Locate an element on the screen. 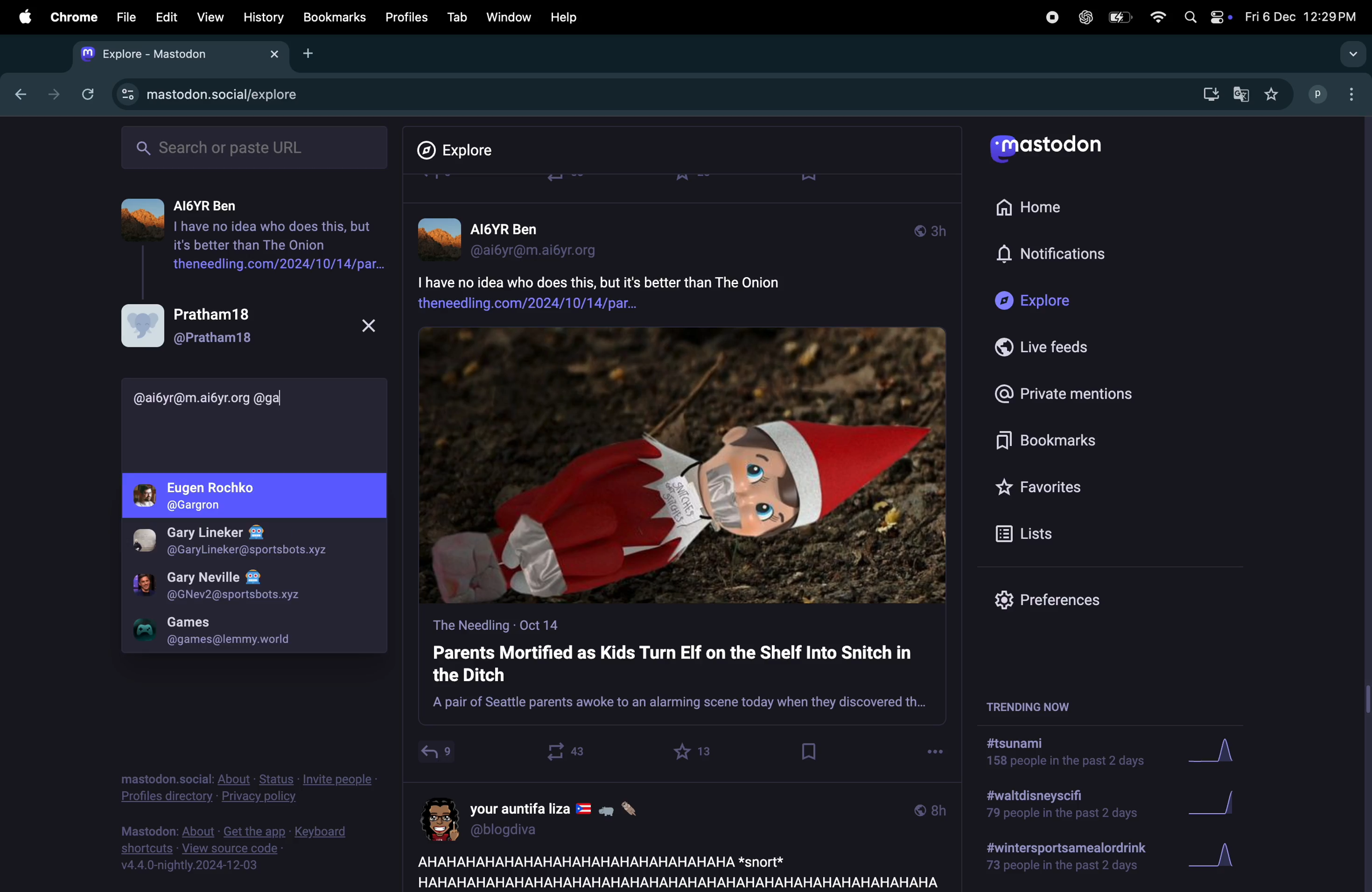  search url is located at coordinates (257, 146).